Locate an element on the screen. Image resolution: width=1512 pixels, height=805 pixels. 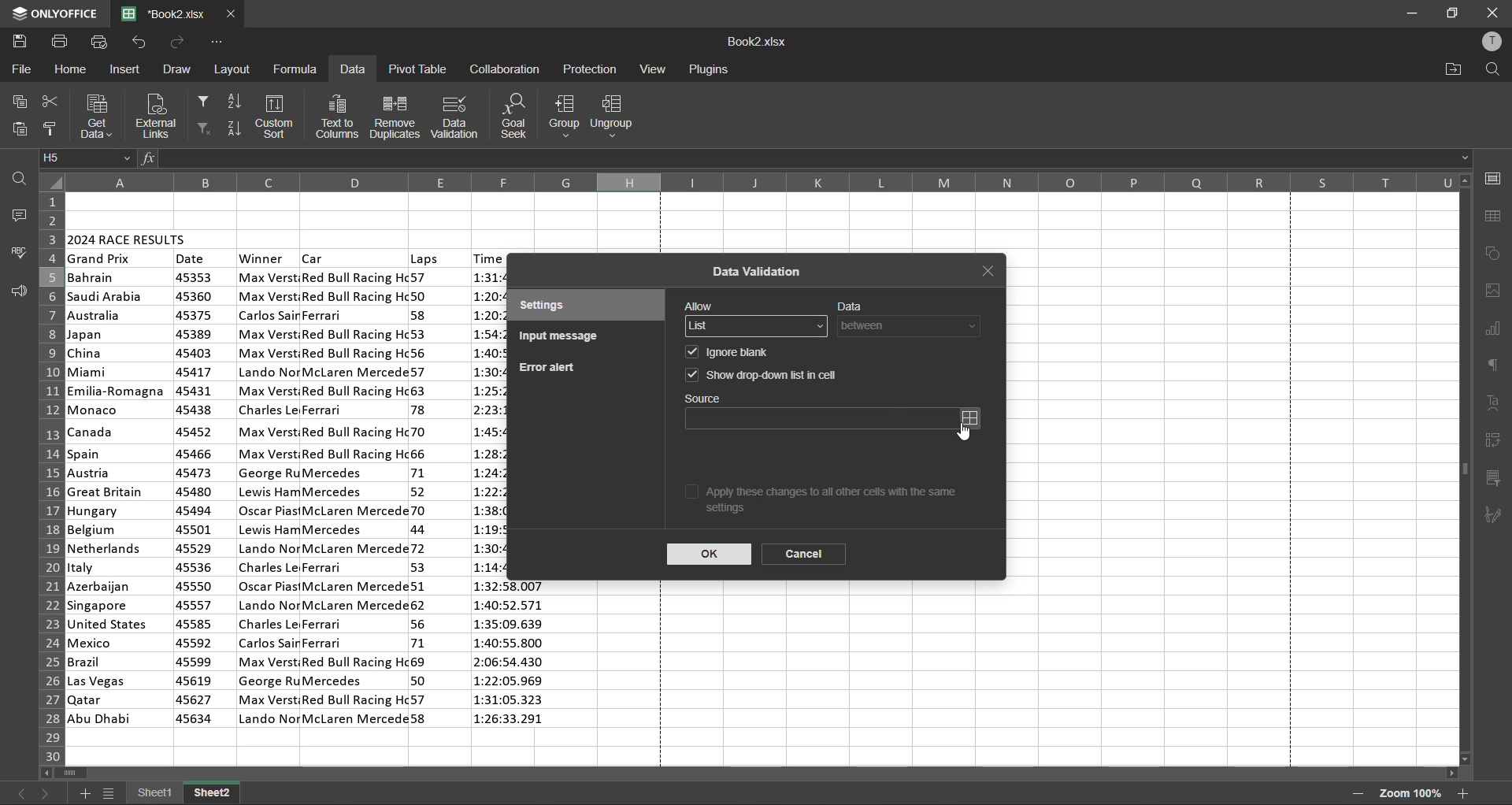
save is located at coordinates (24, 42).